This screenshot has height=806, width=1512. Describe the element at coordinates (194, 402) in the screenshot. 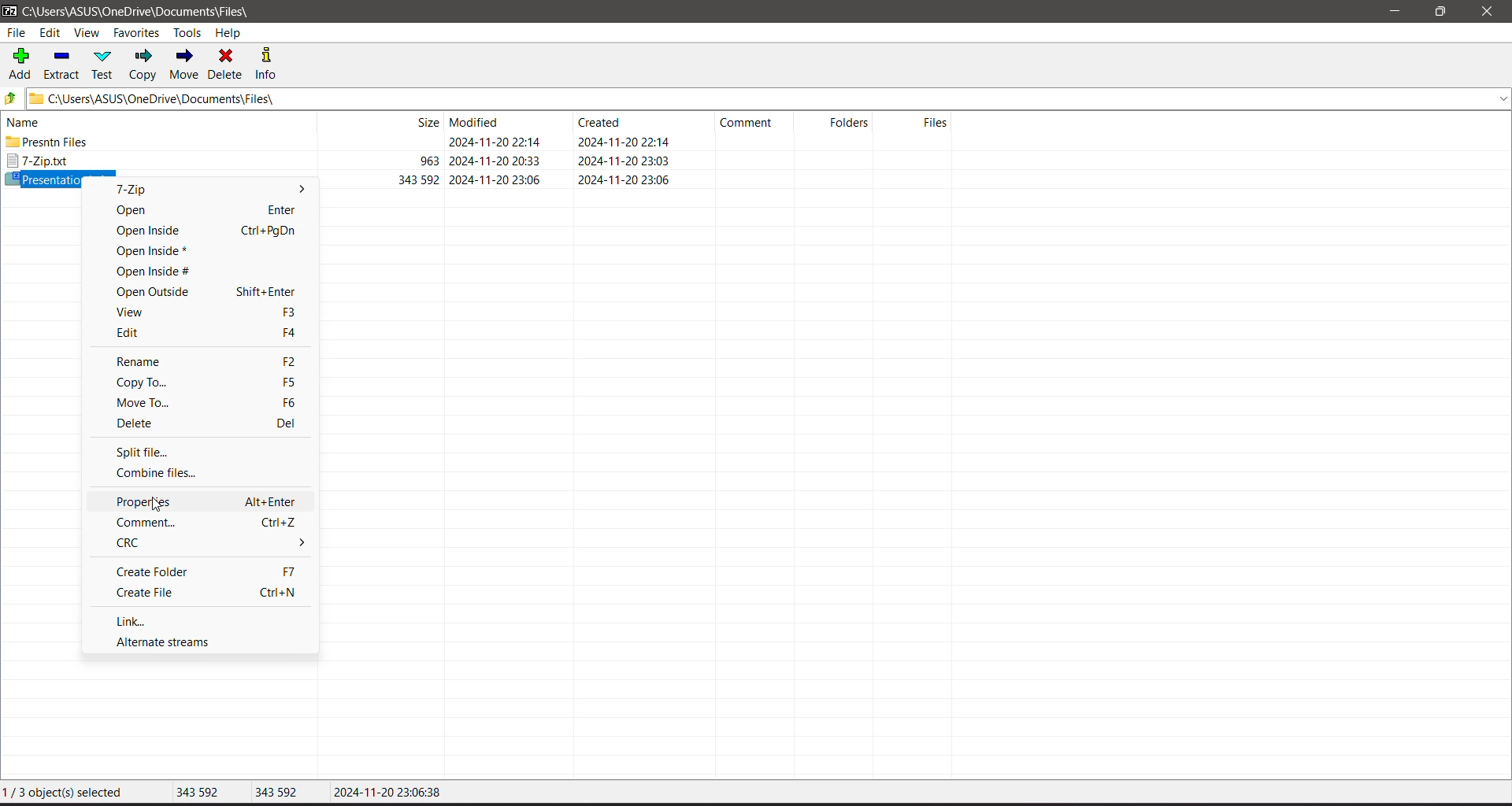

I see `Move To` at that location.